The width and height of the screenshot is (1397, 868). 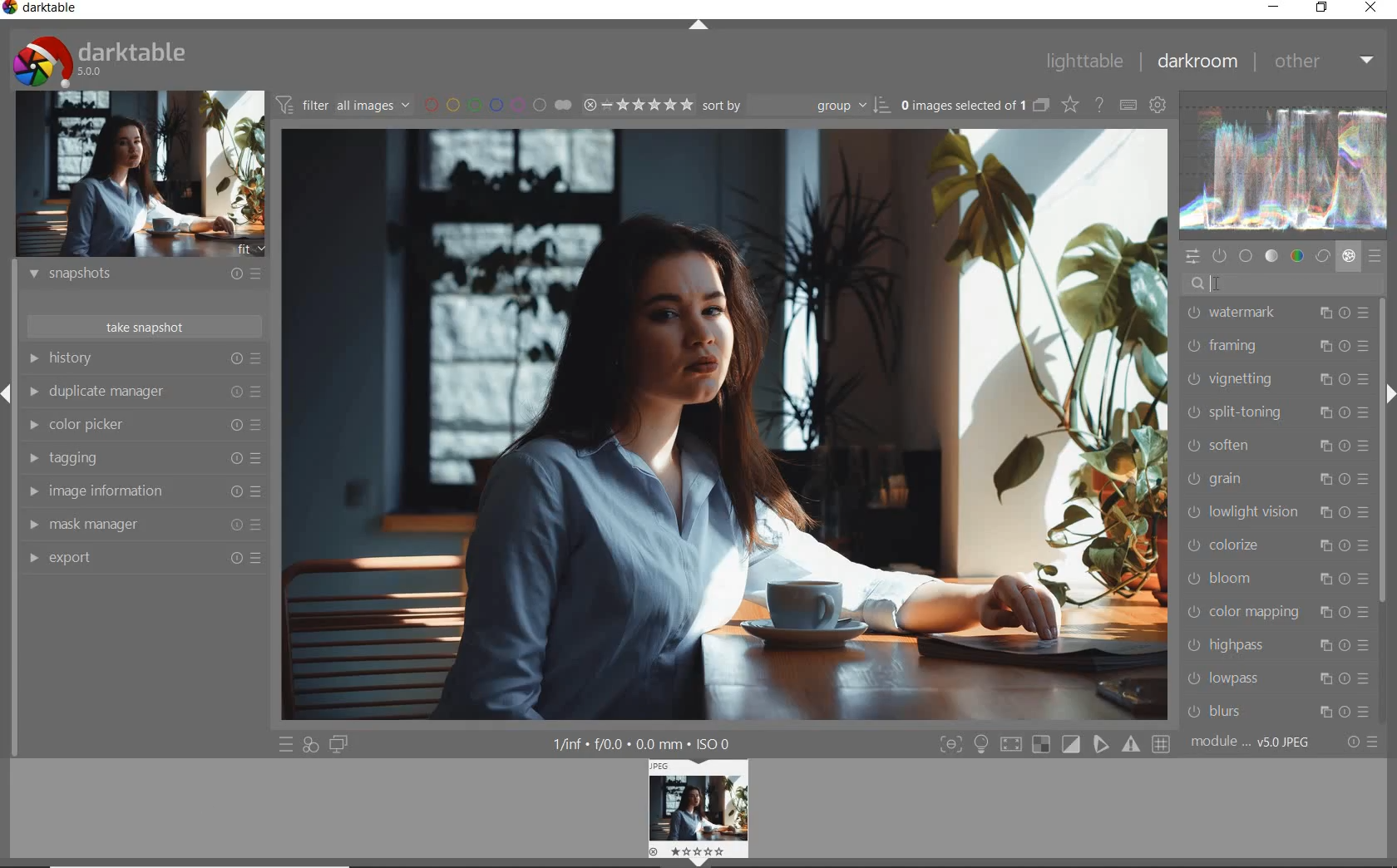 What do you see at coordinates (141, 176) in the screenshot?
I see `image preview` at bounding box center [141, 176].